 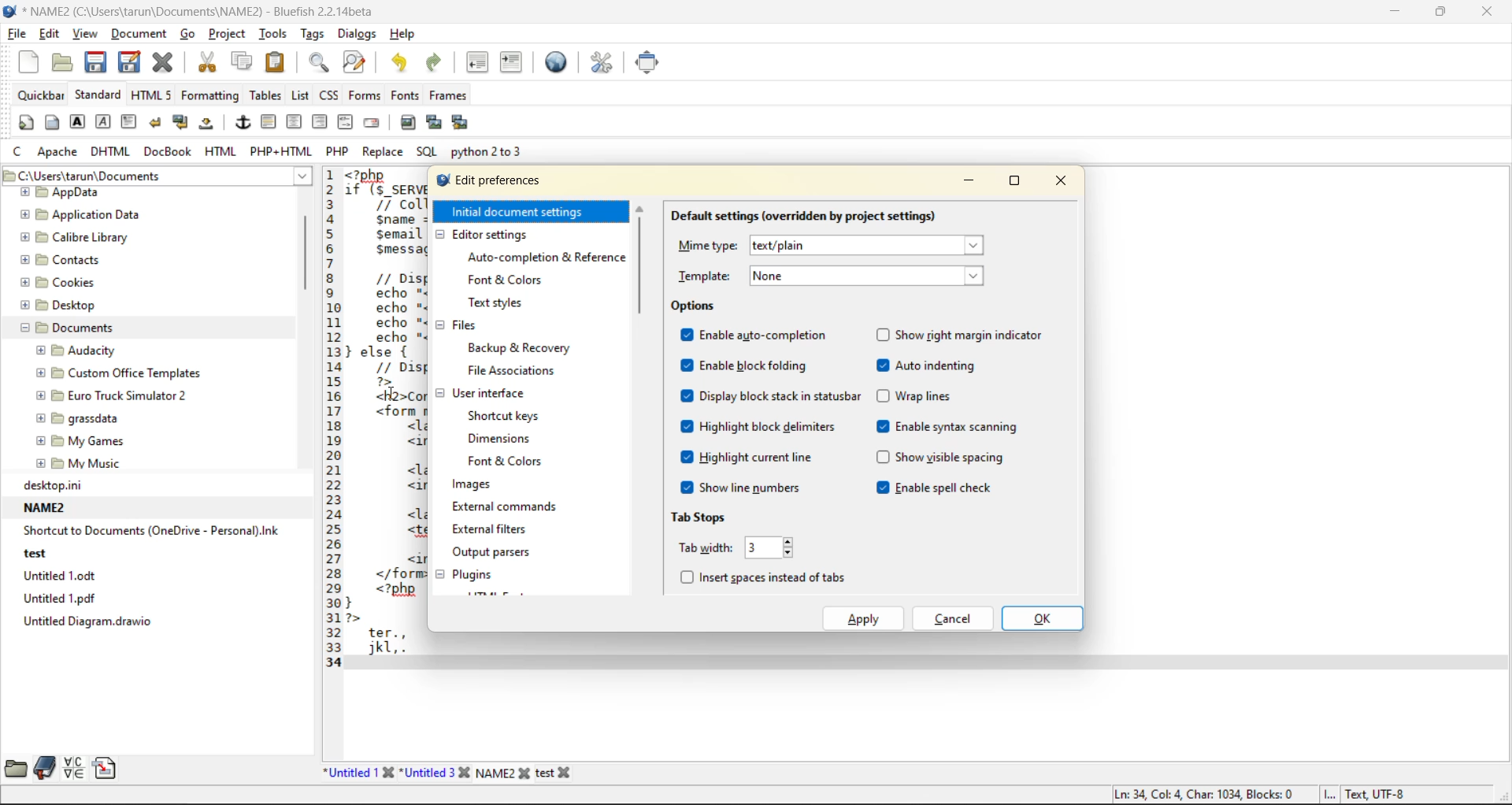 What do you see at coordinates (1444, 14) in the screenshot?
I see `restore down` at bounding box center [1444, 14].